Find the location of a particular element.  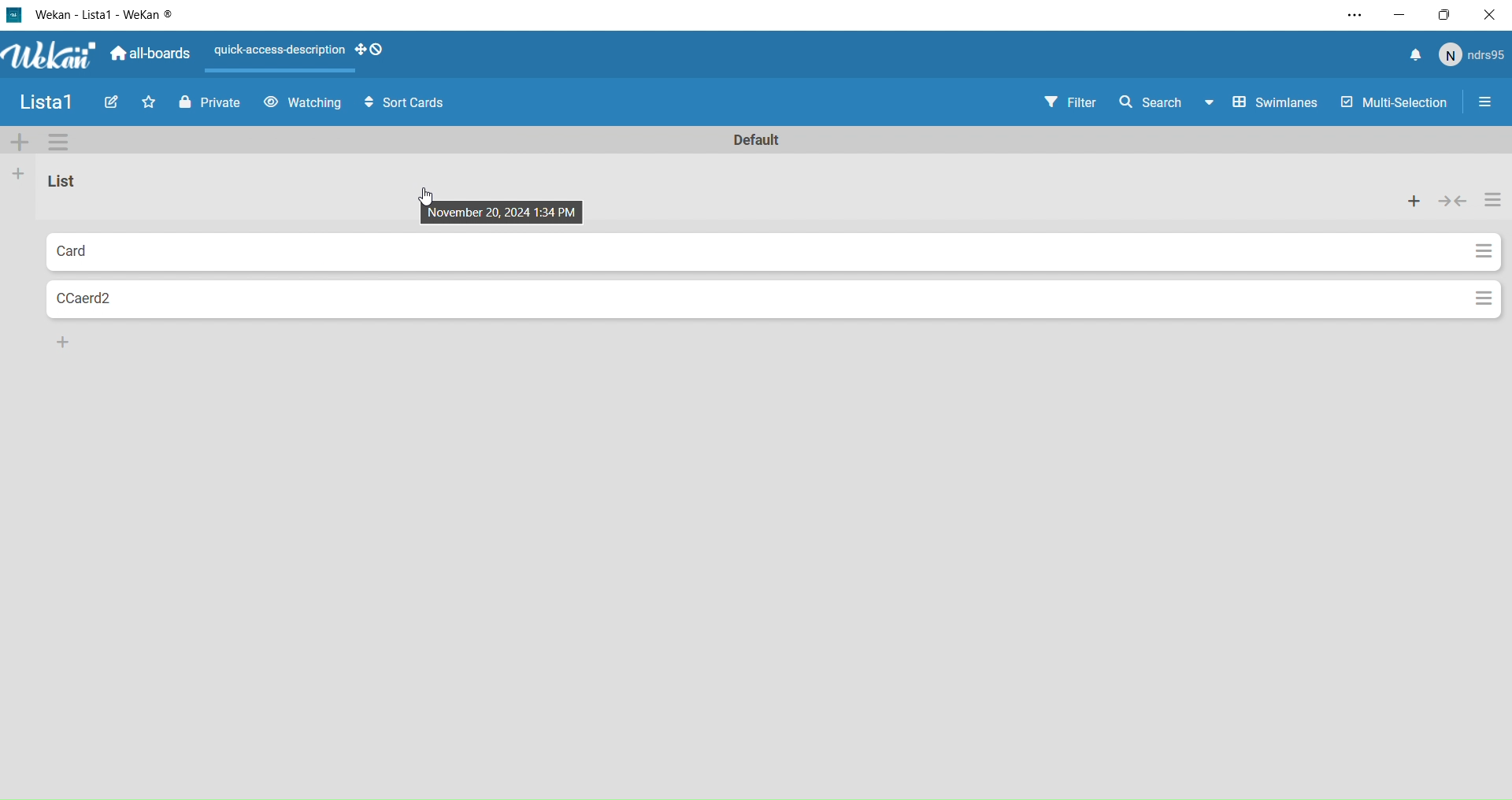

Notifications is located at coordinates (1412, 54).